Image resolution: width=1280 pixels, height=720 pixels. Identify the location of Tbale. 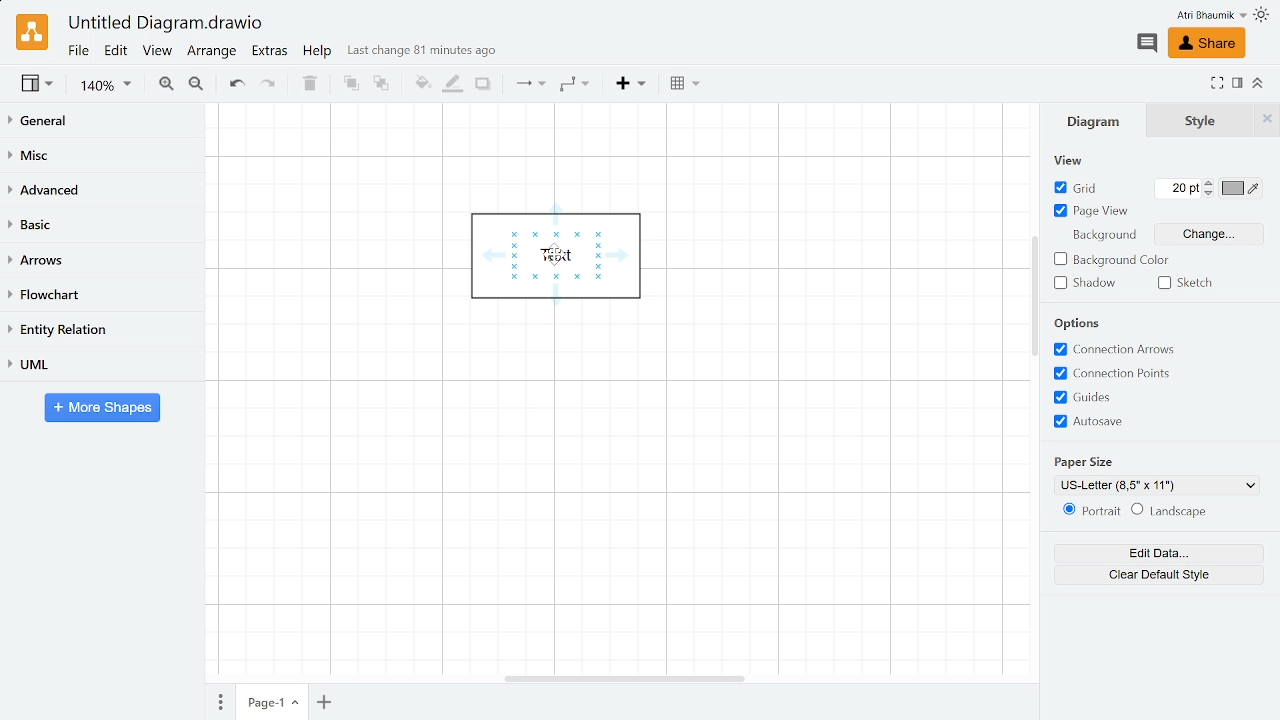
(686, 87).